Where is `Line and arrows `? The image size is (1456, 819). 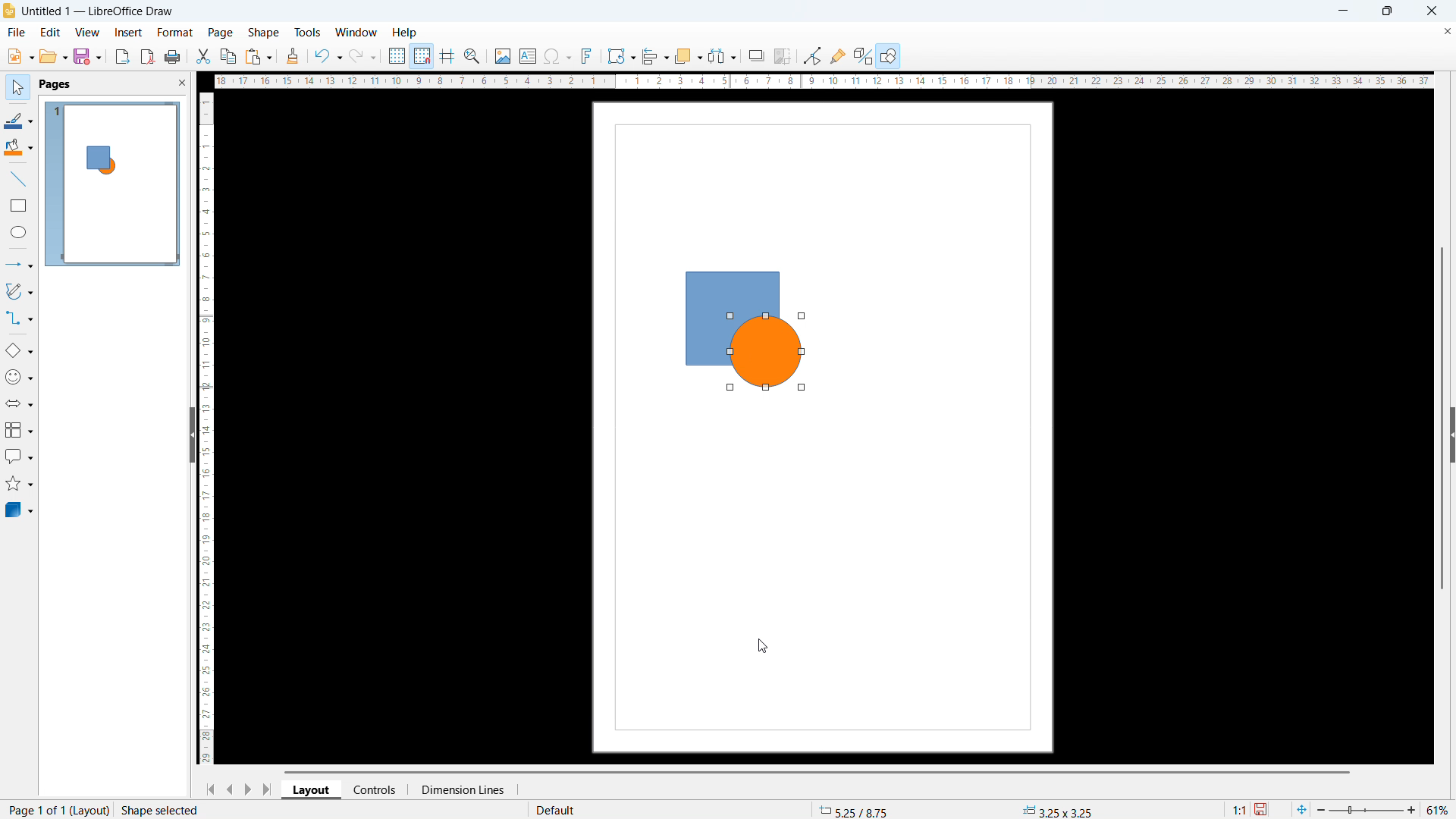
Line and arrows  is located at coordinates (20, 264).